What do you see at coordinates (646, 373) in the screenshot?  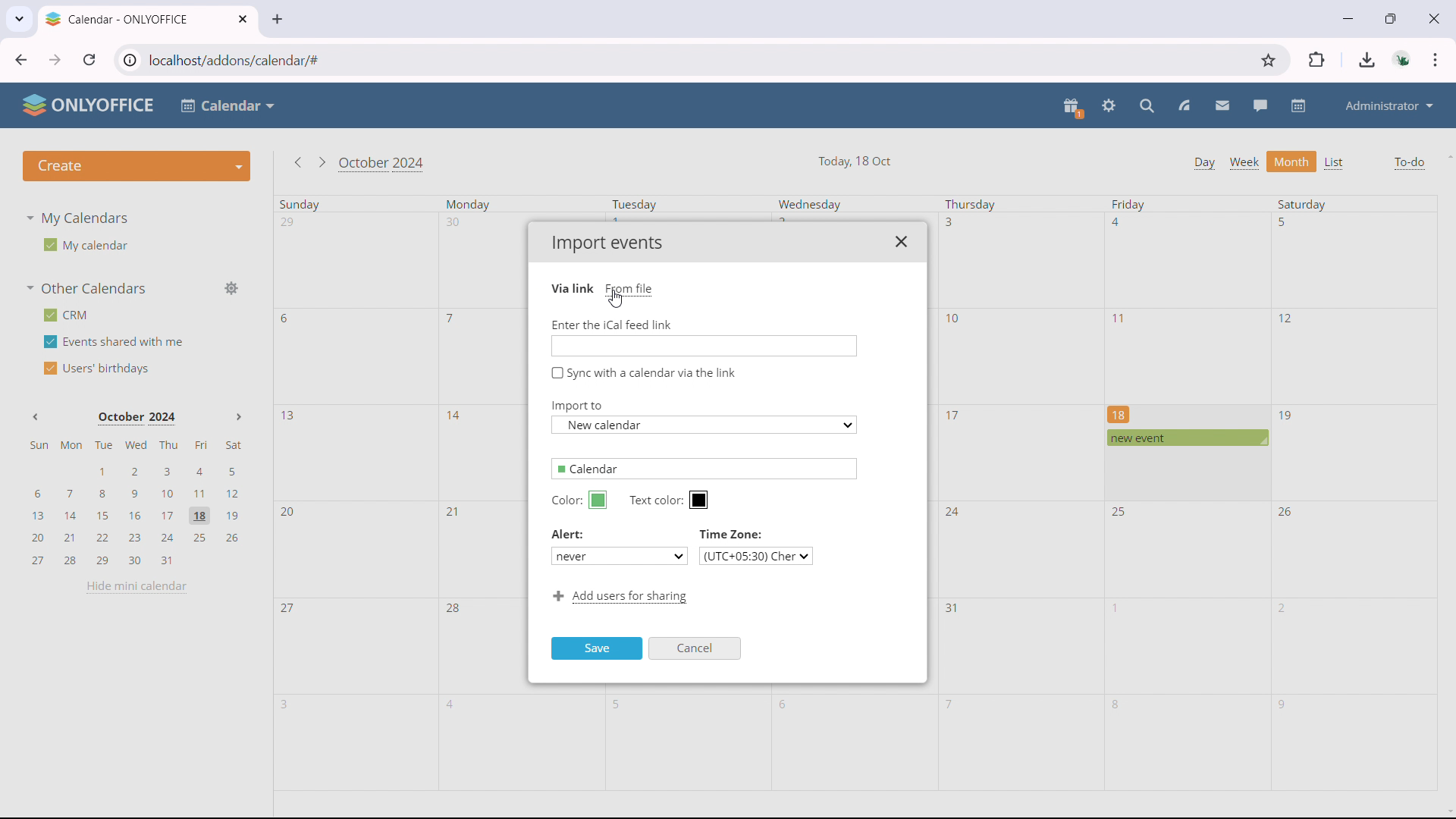 I see `Sync with a calendar via the link` at bounding box center [646, 373].